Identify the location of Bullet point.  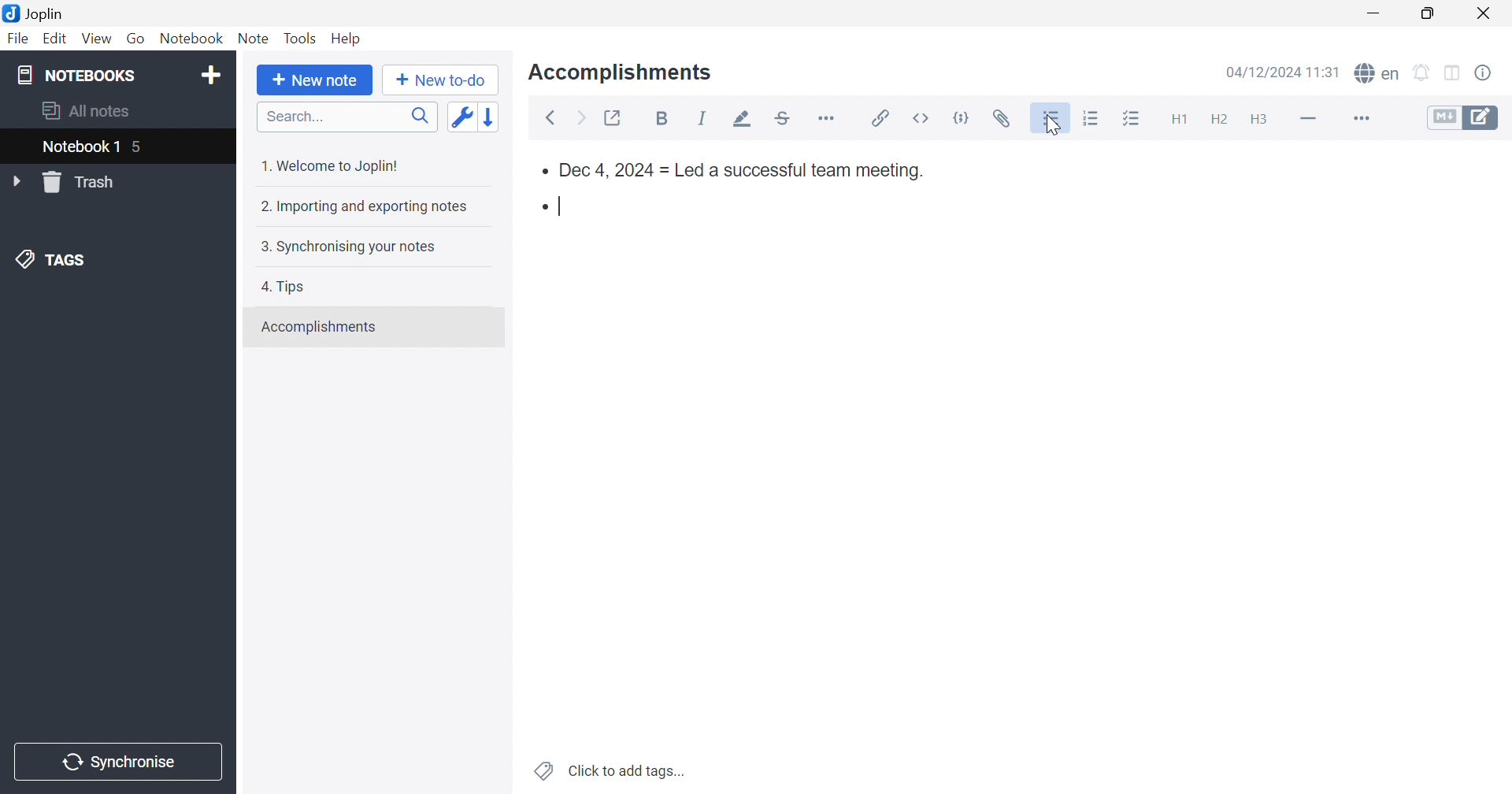
(543, 206).